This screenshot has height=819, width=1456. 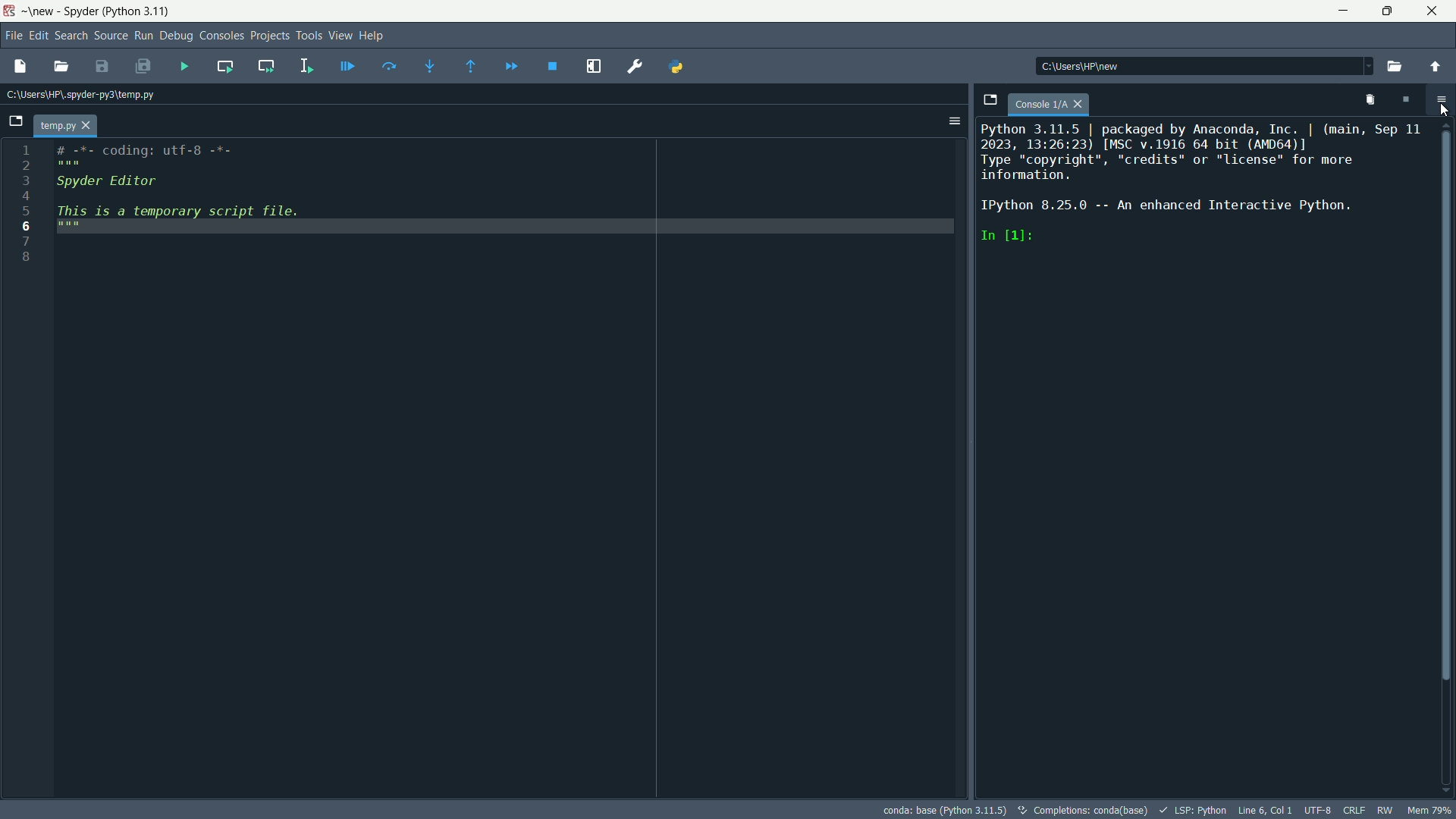 What do you see at coordinates (1440, 99) in the screenshot?
I see `options` at bounding box center [1440, 99].